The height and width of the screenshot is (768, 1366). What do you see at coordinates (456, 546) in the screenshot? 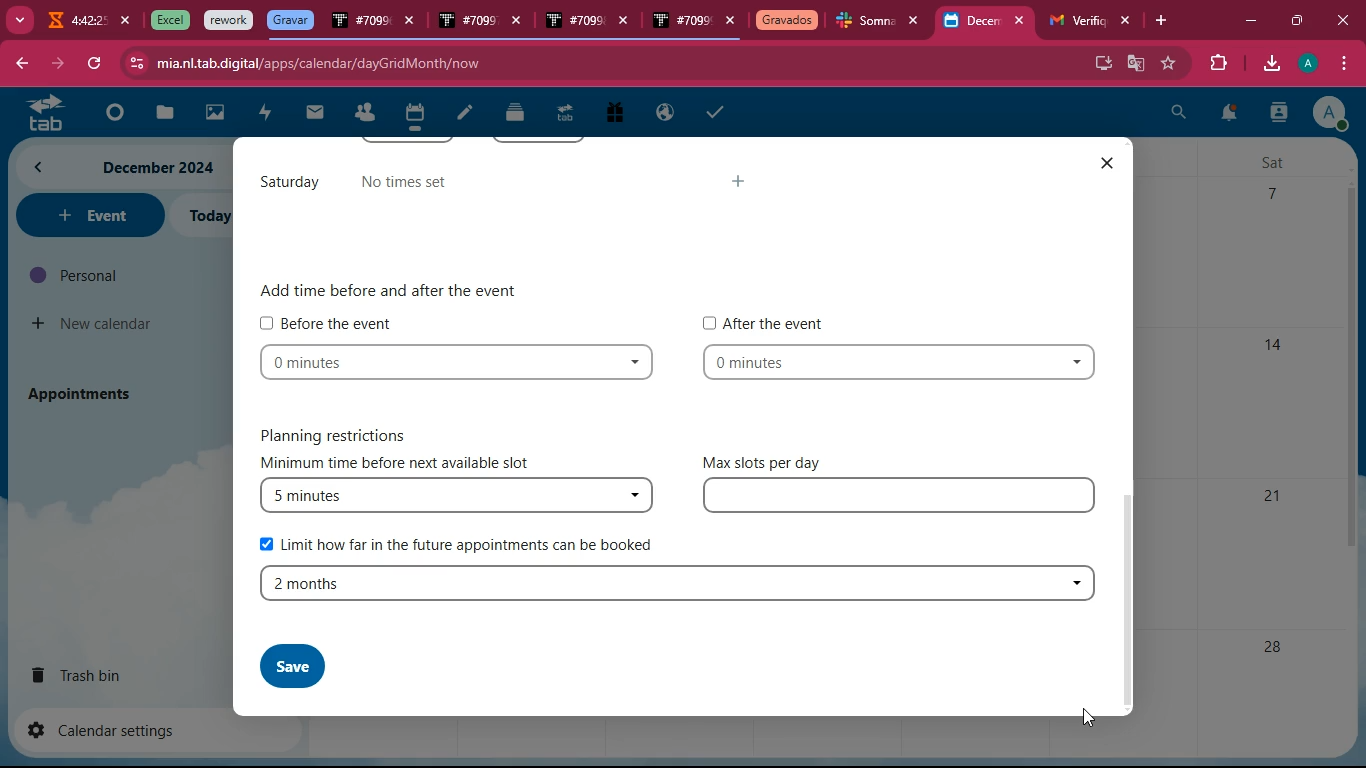
I see `Limit how far in the future appointments can be booked` at bounding box center [456, 546].